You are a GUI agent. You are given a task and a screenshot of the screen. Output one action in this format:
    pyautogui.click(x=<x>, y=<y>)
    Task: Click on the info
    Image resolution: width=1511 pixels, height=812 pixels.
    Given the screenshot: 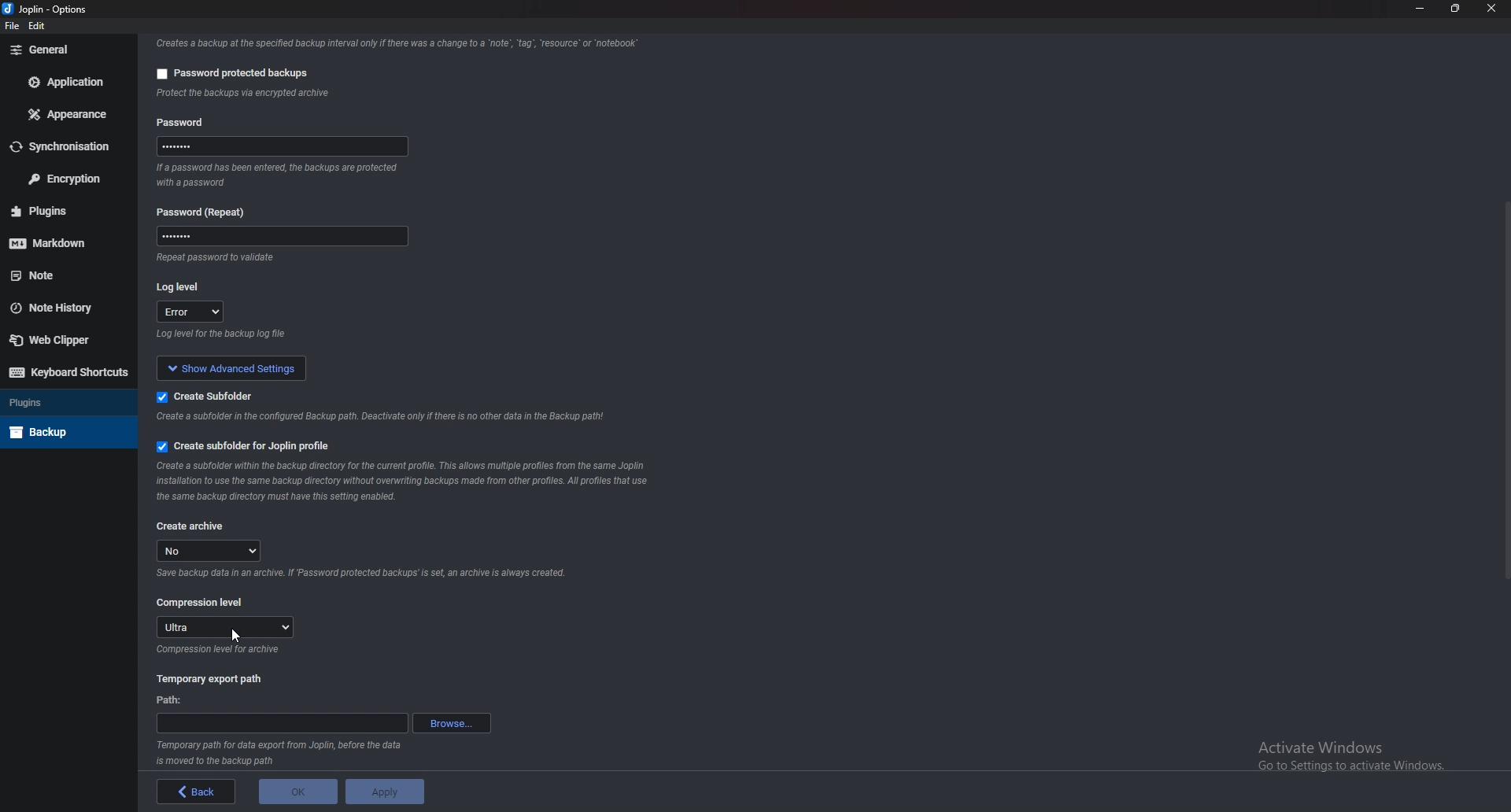 What is the action you would take?
    pyautogui.click(x=393, y=42)
    